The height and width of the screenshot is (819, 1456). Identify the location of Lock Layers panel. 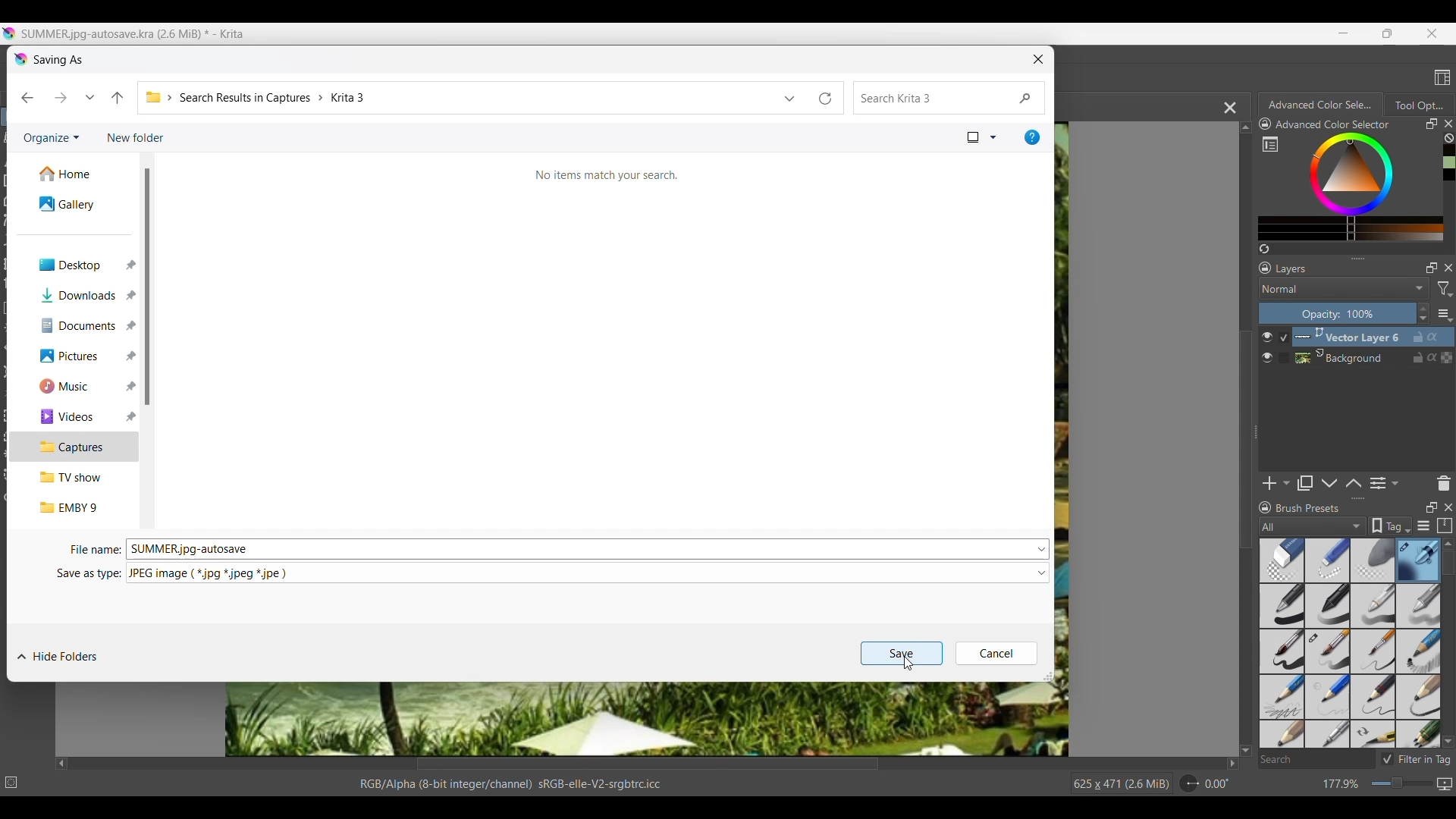
(1266, 268).